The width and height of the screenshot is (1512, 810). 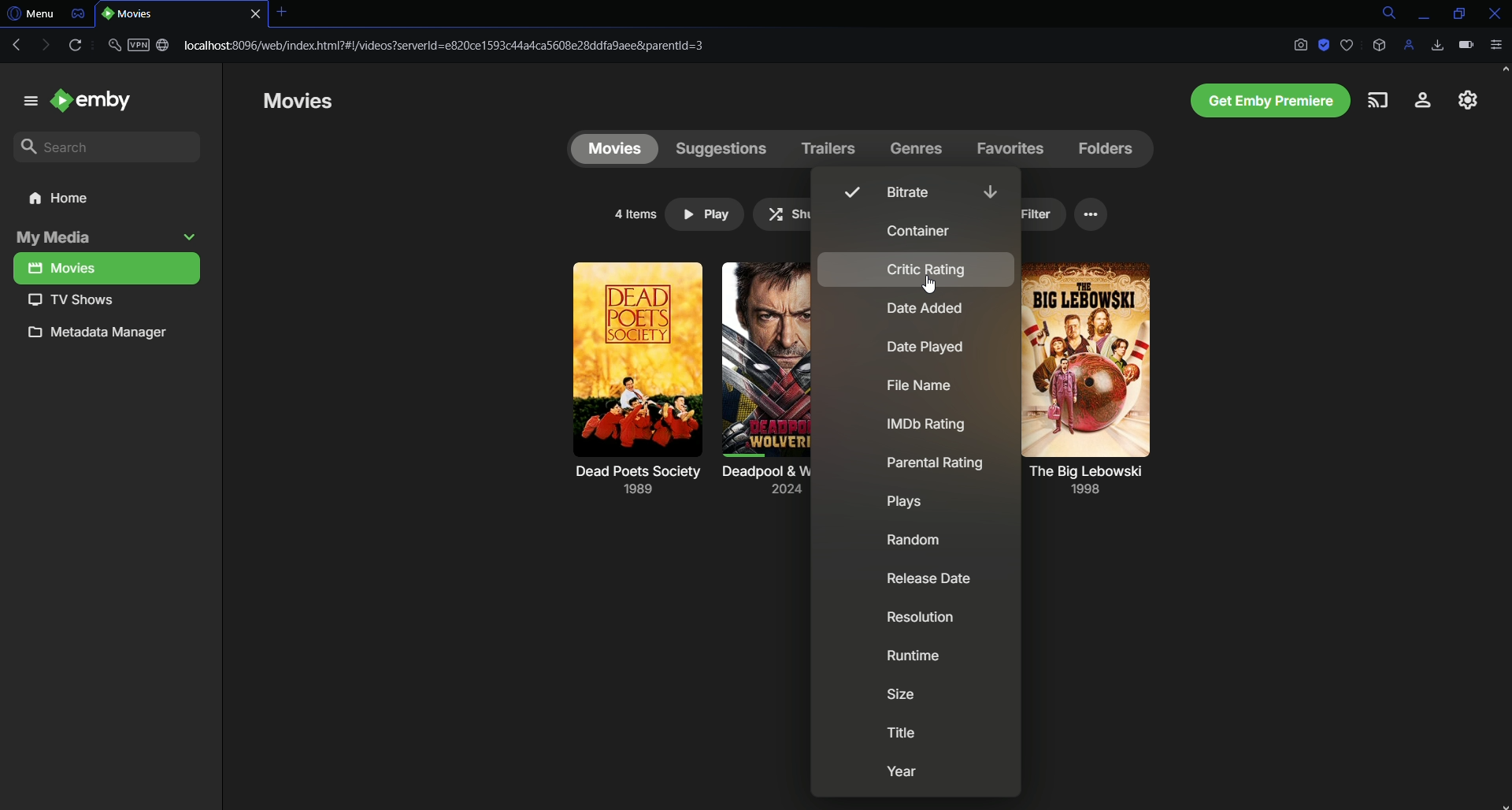 What do you see at coordinates (112, 145) in the screenshot?
I see `Search` at bounding box center [112, 145].